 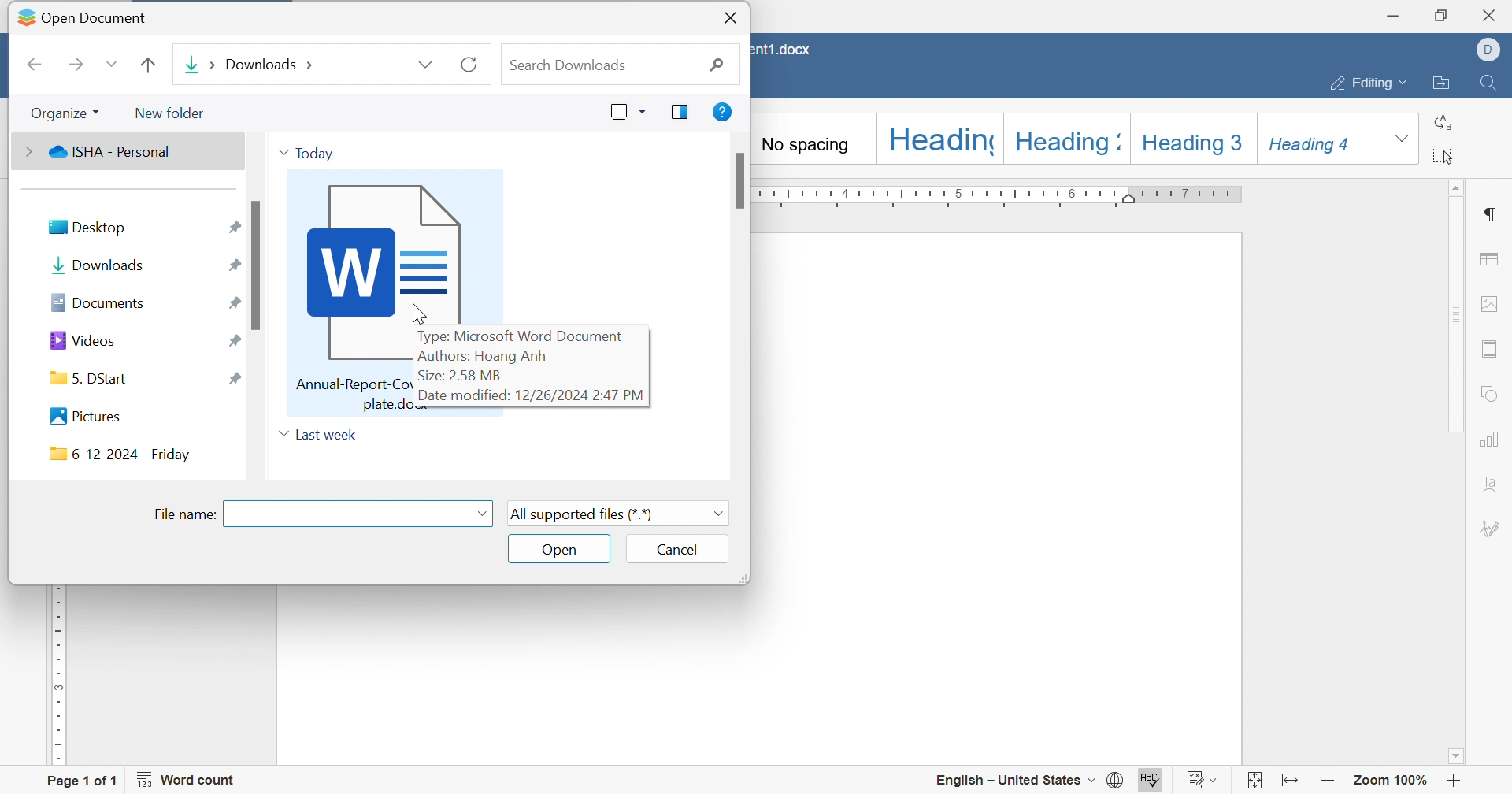 What do you see at coordinates (170, 114) in the screenshot?
I see `new folder` at bounding box center [170, 114].